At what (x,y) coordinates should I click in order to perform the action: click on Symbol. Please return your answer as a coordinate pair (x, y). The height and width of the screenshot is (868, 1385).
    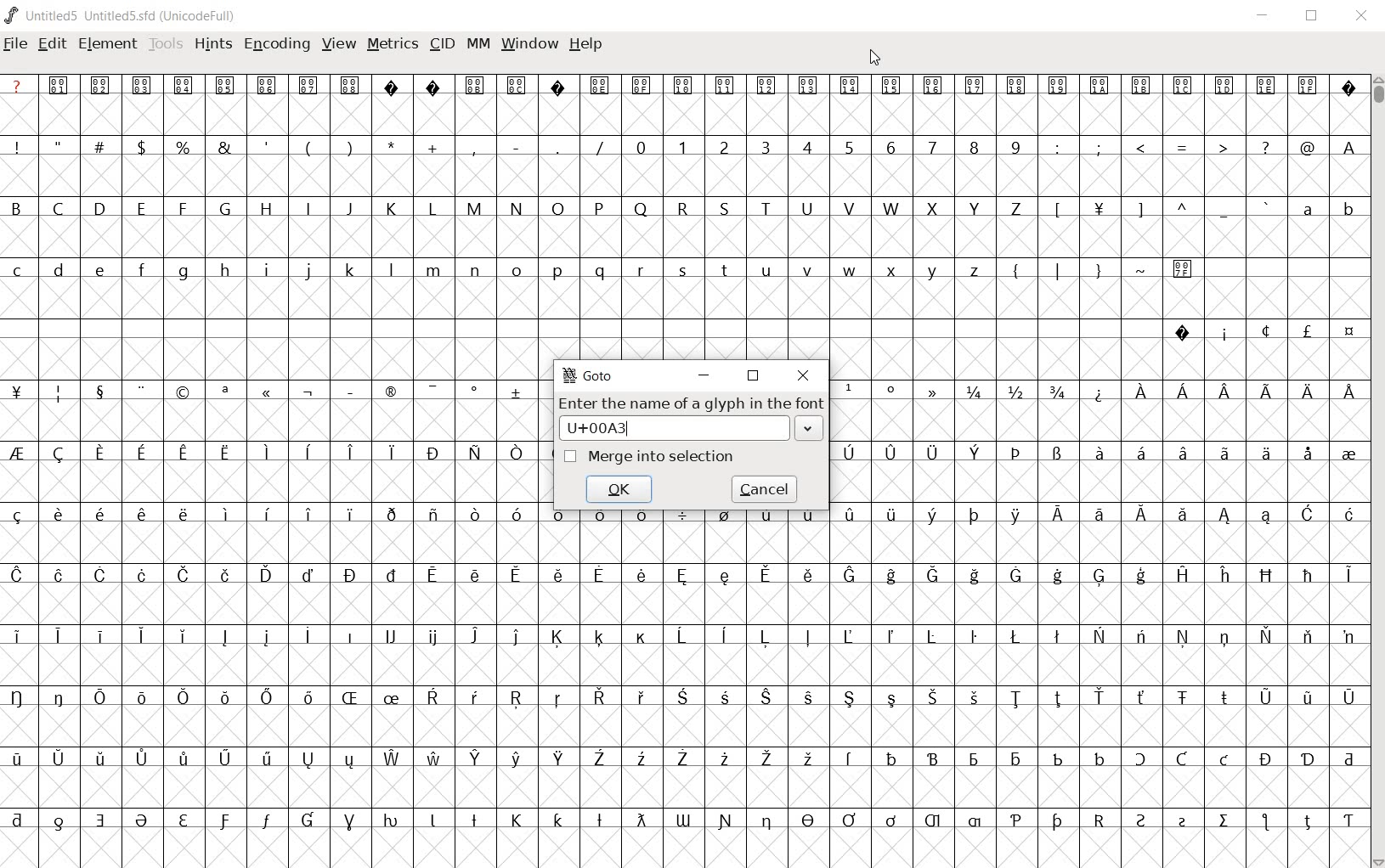
    Looking at the image, I should click on (1264, 331).